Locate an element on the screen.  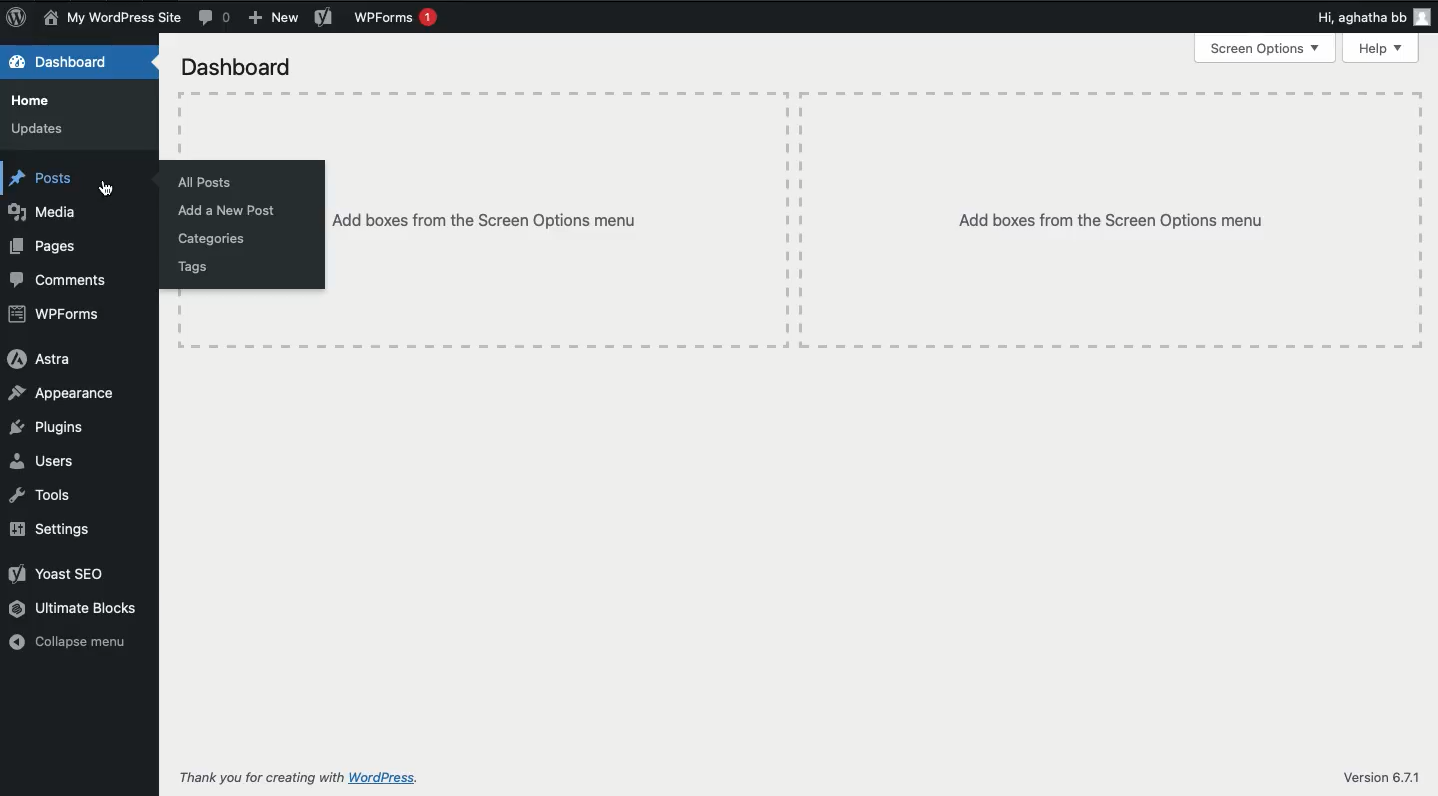
Logo is located at coordinates (18, 18).